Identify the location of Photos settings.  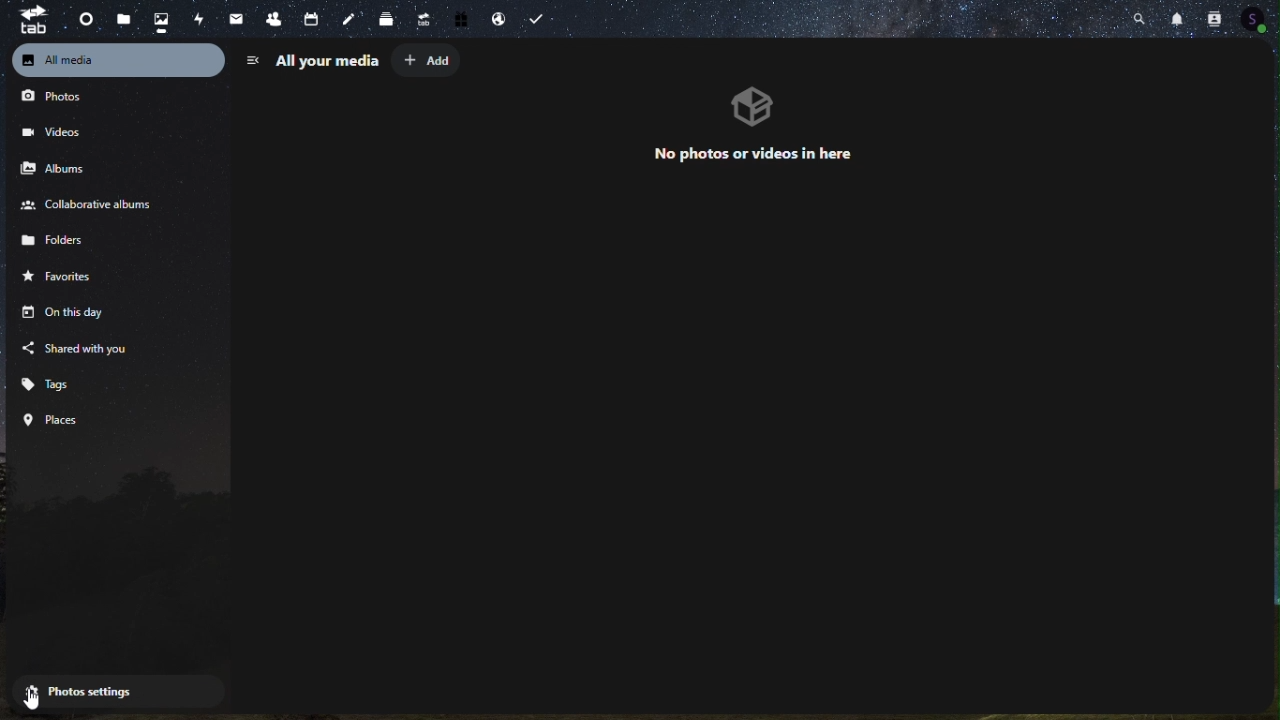
(94, 691).